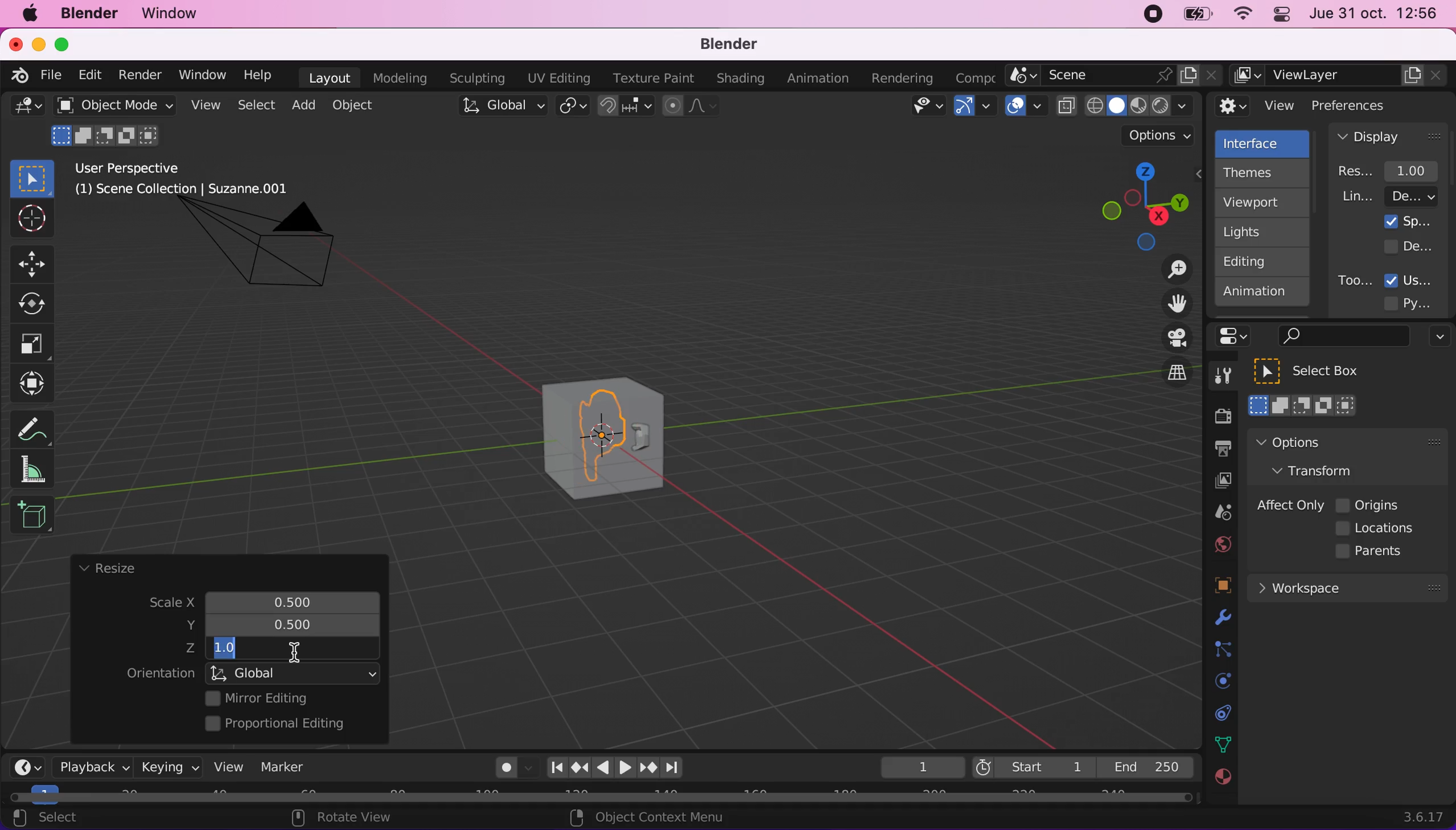 Image resolution: width=1456 pixels, height=830 pixels. I want to click on select, so click(255, 106).